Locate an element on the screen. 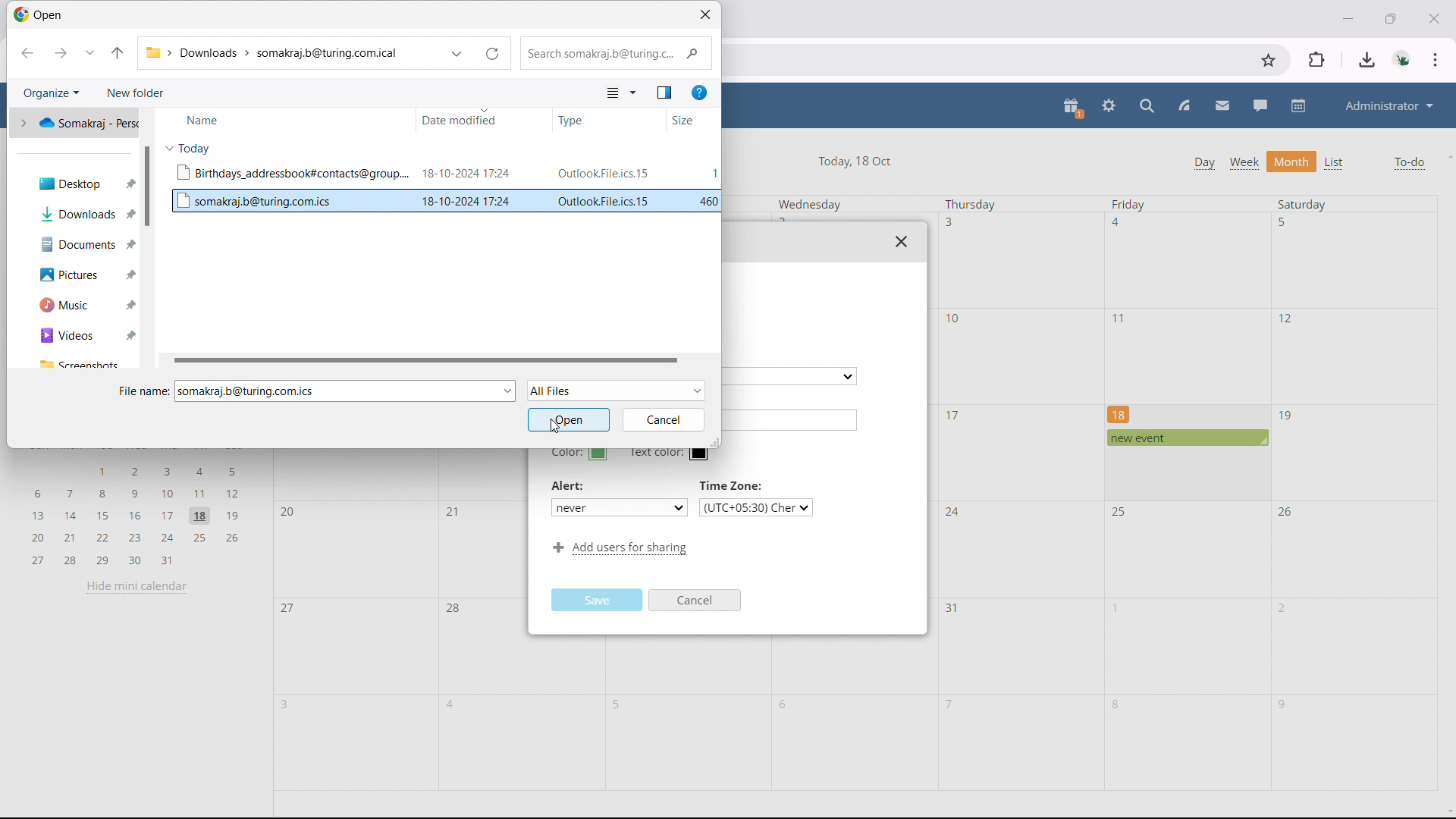  never is located at coordinates (618, 507).